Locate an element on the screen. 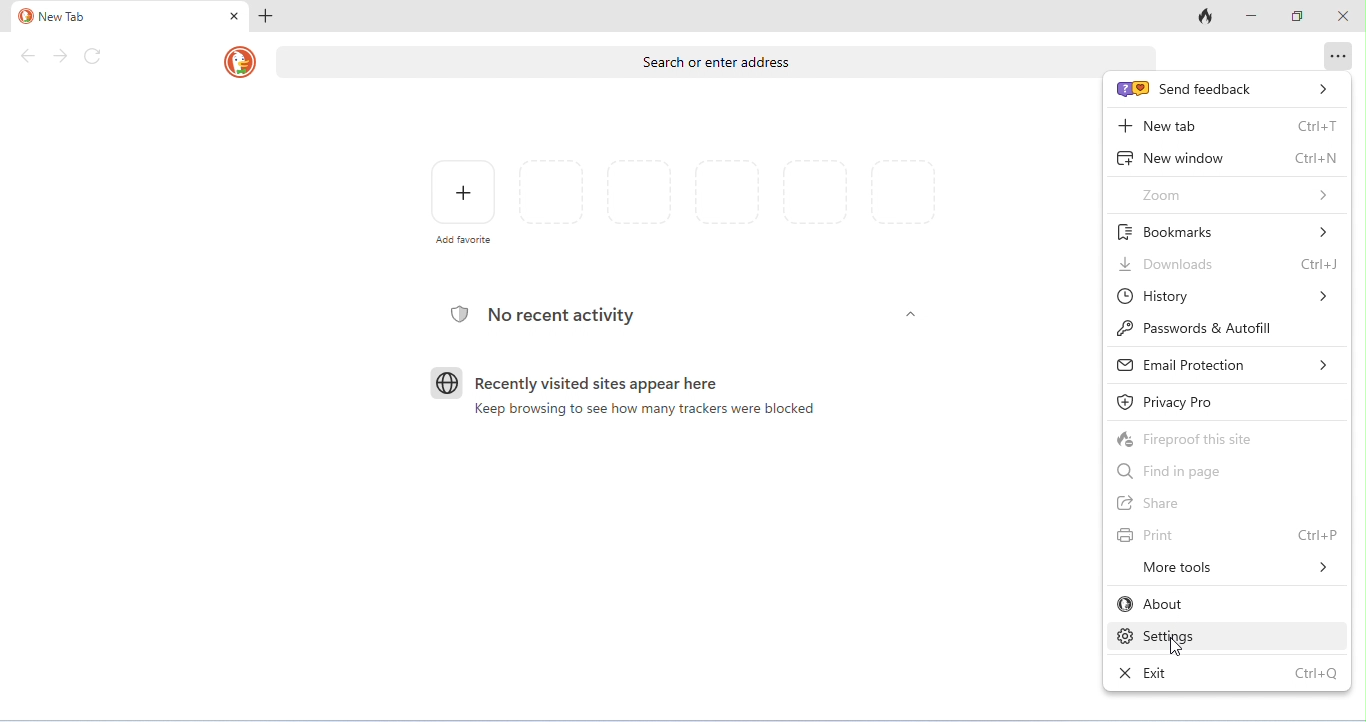 The width and height of the screenshot is (1366, 722). bookmarks is located at coordinates (1229, 232).